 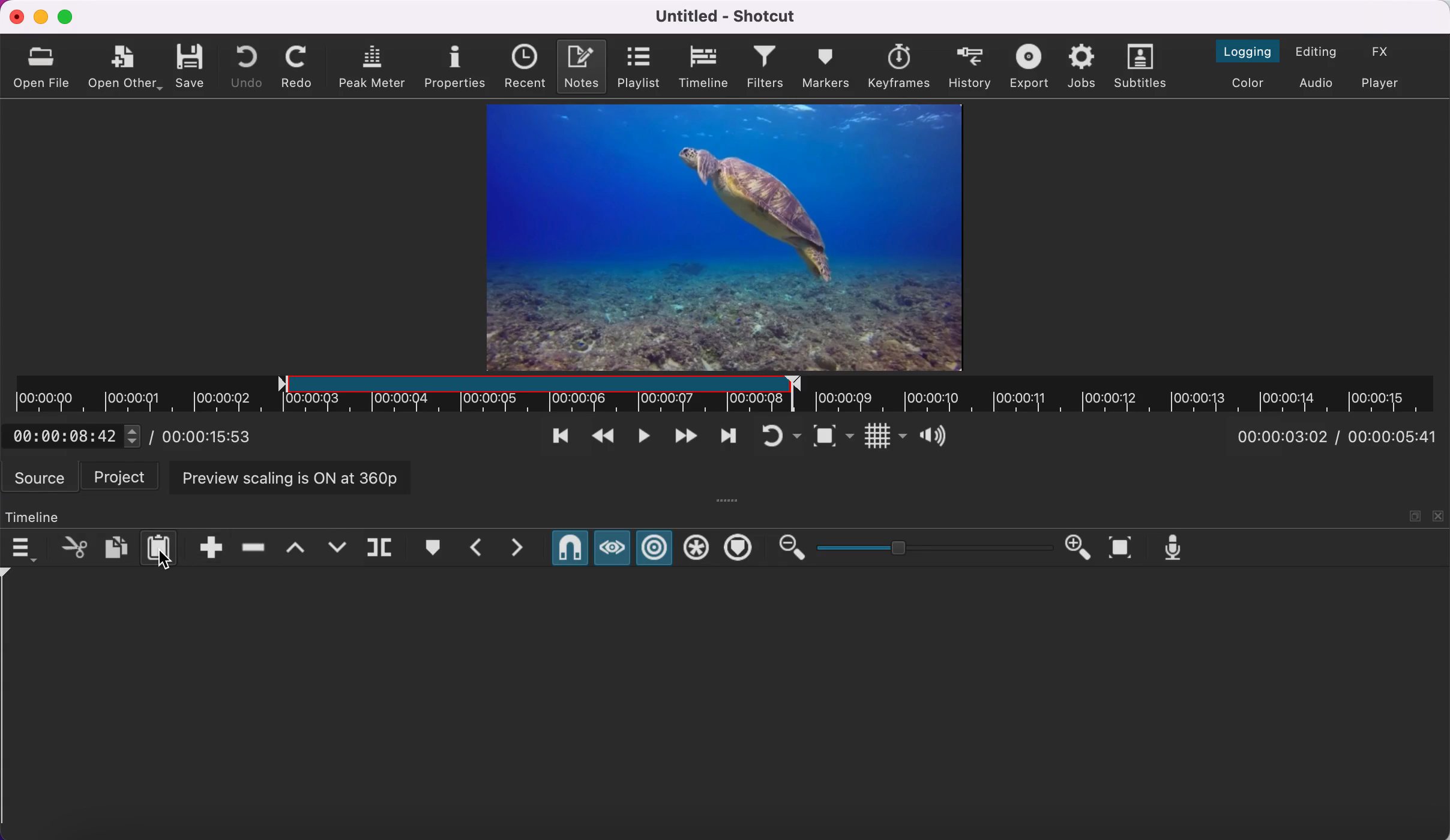 I want to click on cut, so click(x=71, y=545).